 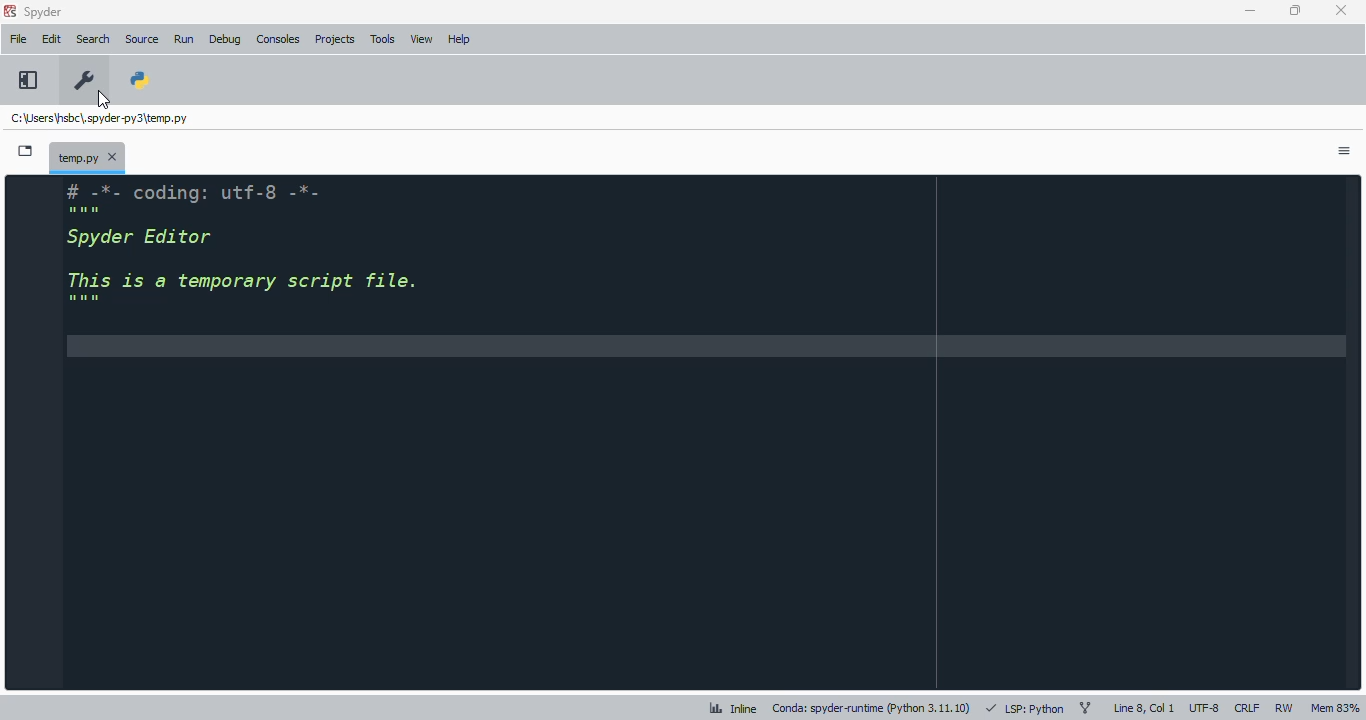 What do you see at coordinates (1285, 709) in the screenshot?
I see `RW` at bounding box center [1285, 709].